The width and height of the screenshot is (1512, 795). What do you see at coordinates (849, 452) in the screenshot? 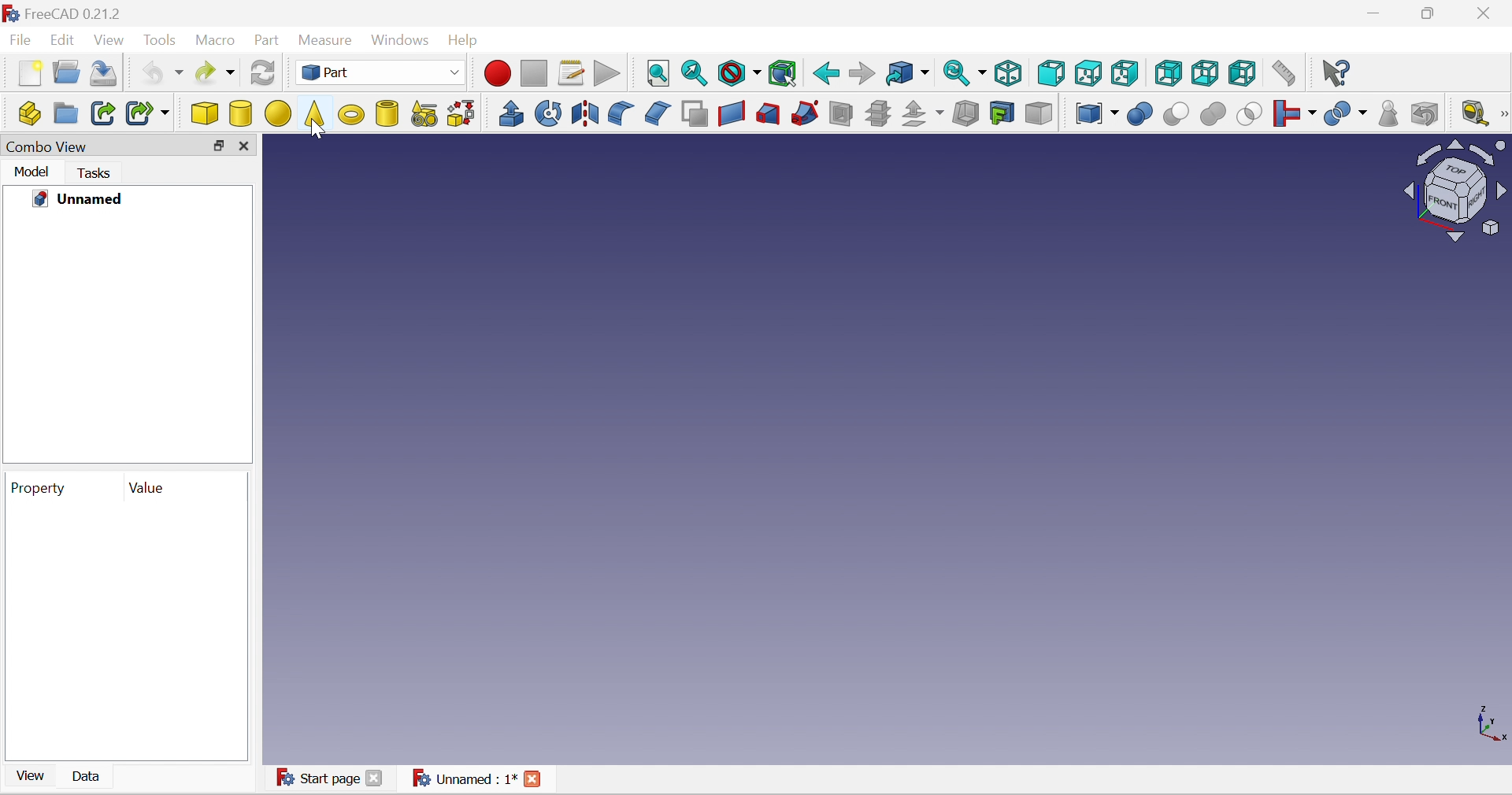
I see `canvas` at bounding box center [849, 452].